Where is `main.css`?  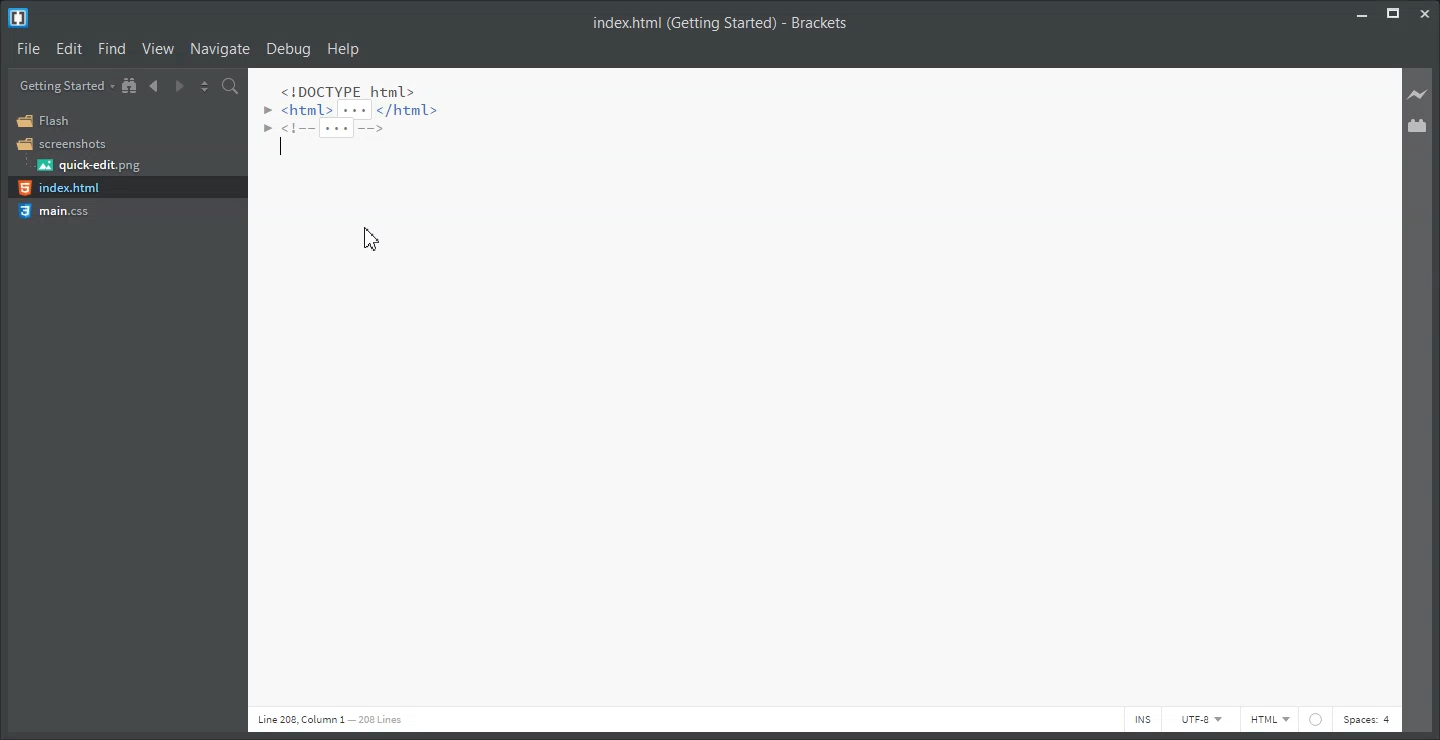
main.css is located at coordinates (55, 211).